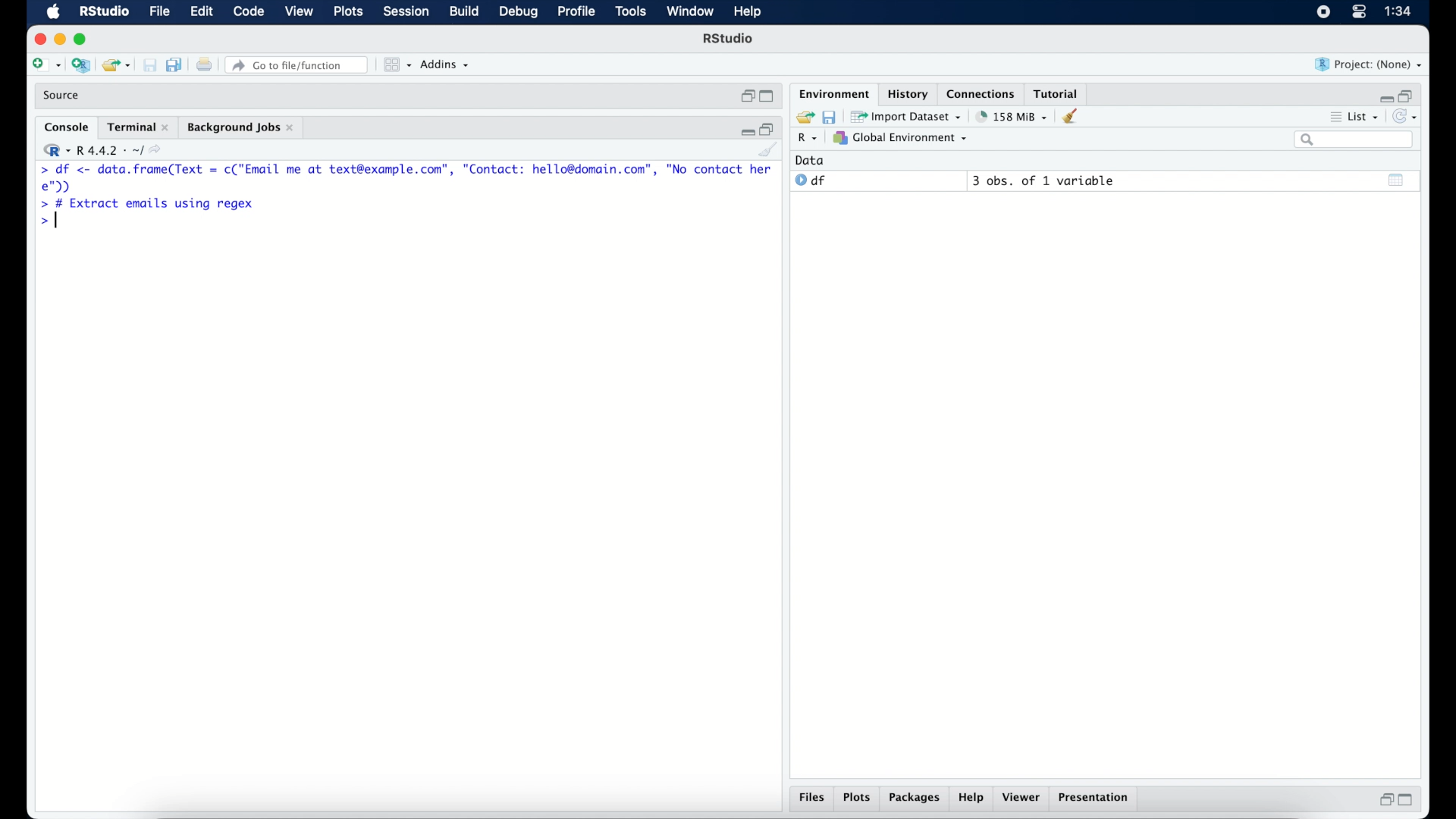 Image resolution: width=1456 pixels, height=819 pixels. Describe the element at coordinates (149, 64) in the screenshot. I see `print` at that location.